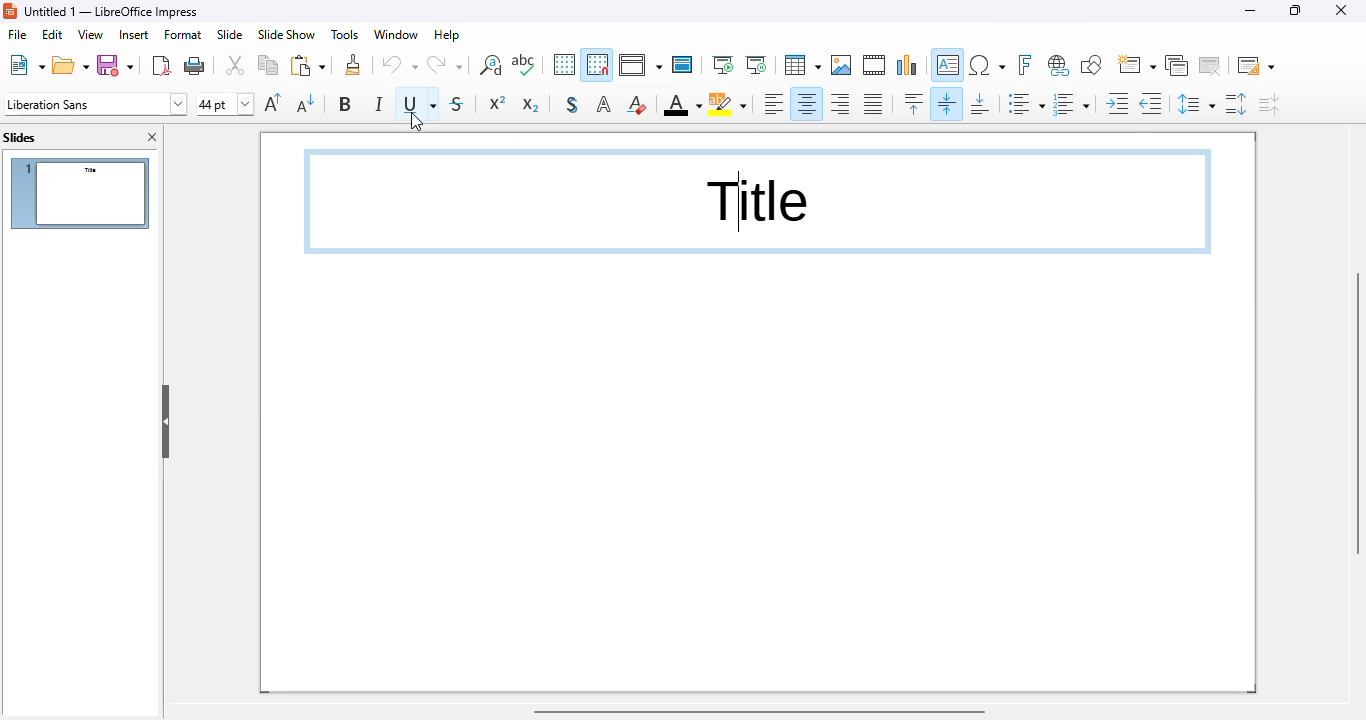 The image size is (1366, 720). Describe the element at coordinates (447, 34) in the screenshot. I see `help` at that location.